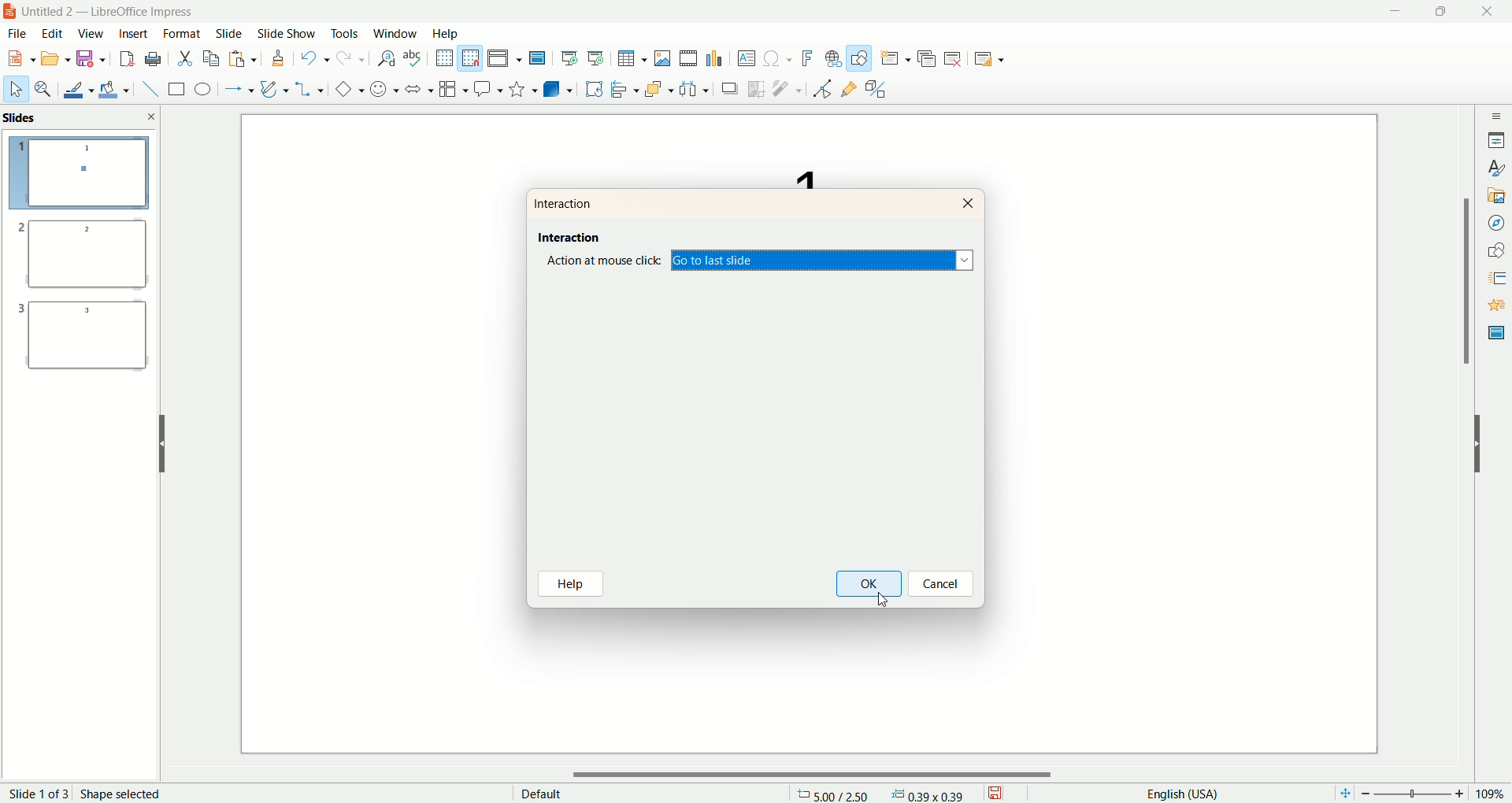 The height and width of the screenshot is (803, 1512). I want to click on shape selected, so click(124, 792).